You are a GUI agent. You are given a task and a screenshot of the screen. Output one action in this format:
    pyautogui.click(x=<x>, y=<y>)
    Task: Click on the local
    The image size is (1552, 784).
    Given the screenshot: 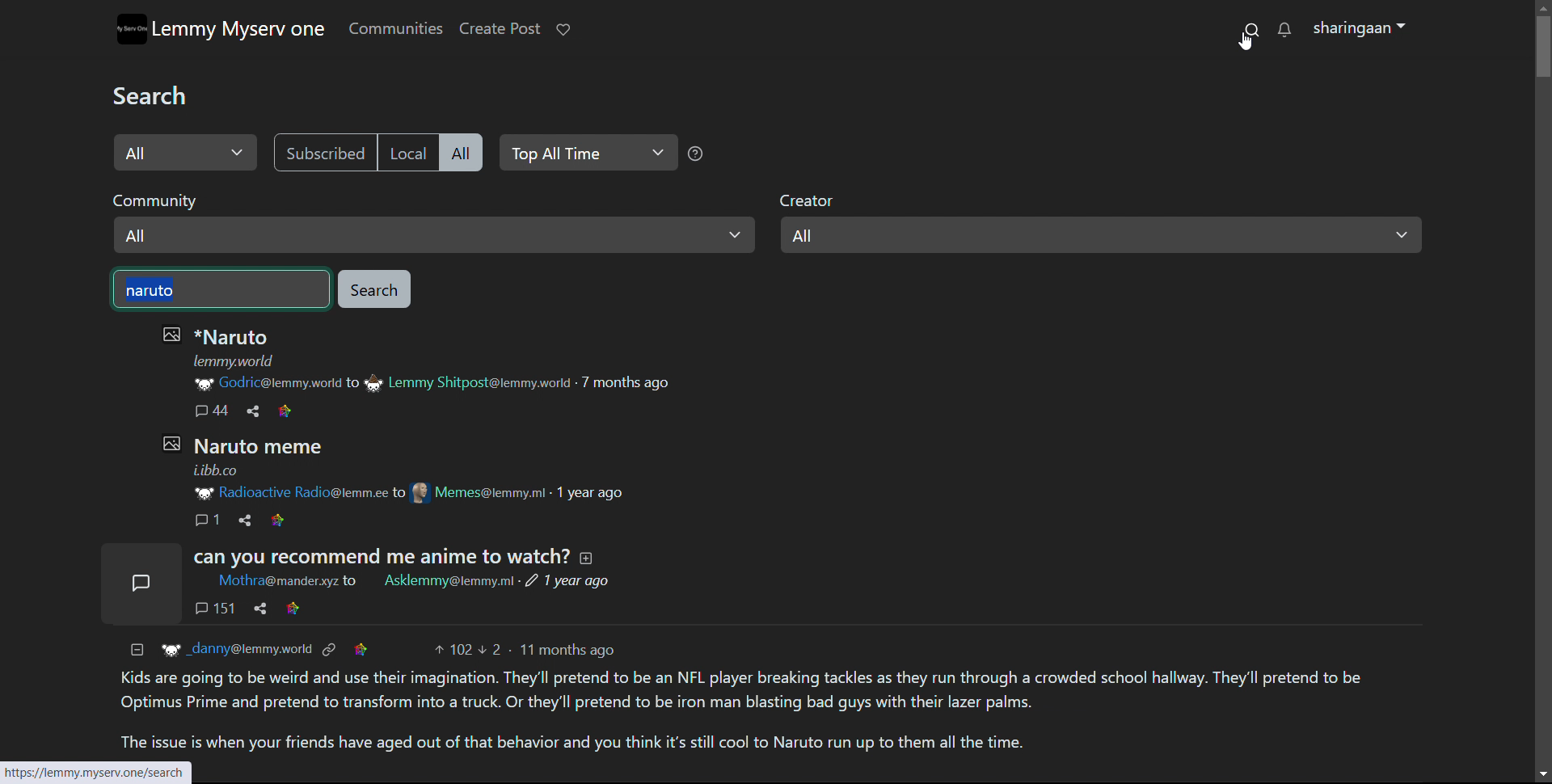 What is the action you would take?
    pyautogui.click(x=406, y=151)
    